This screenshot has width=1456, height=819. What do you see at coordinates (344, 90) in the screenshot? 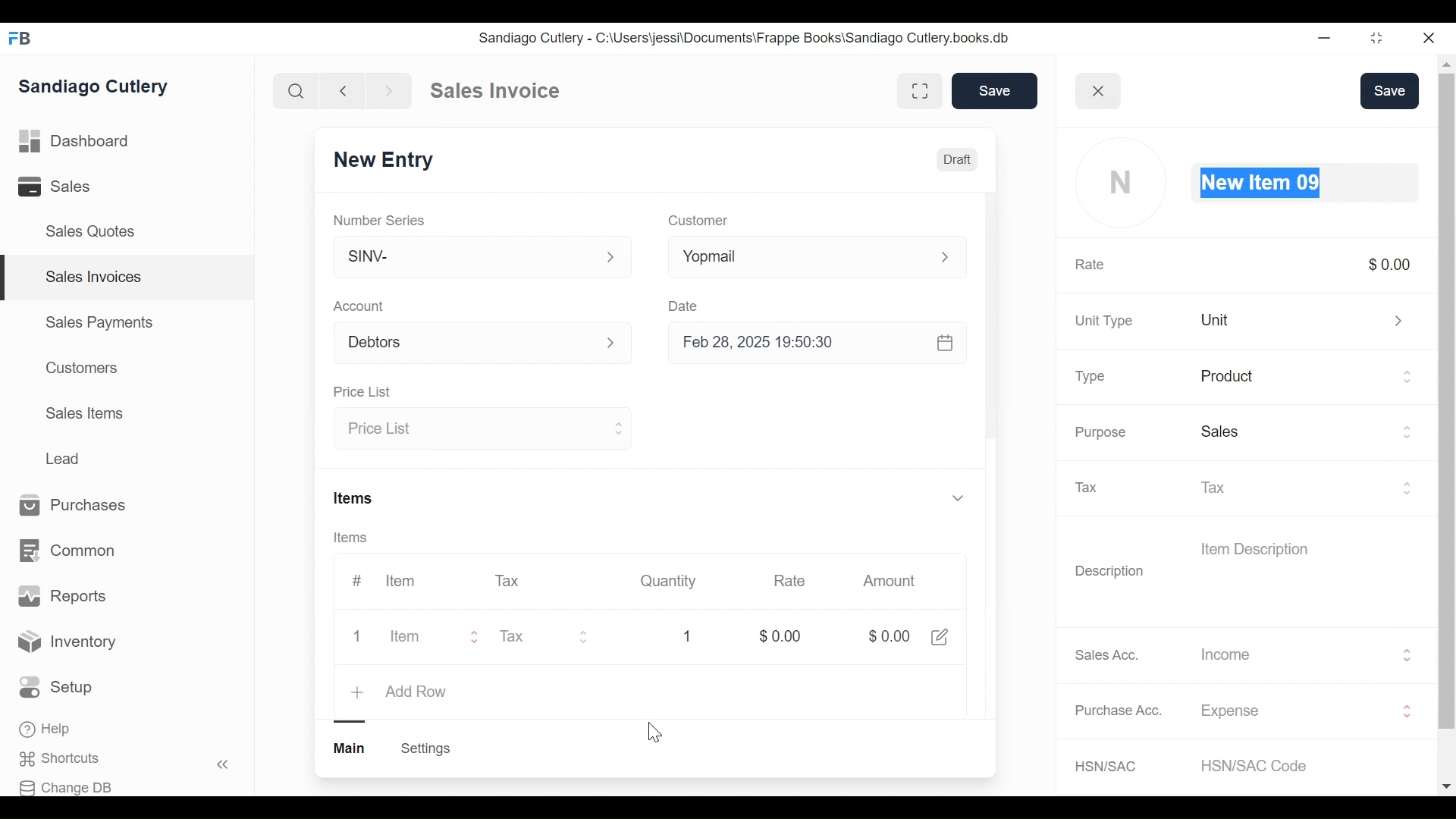
I see `backward` at bounding box center [344, 90].